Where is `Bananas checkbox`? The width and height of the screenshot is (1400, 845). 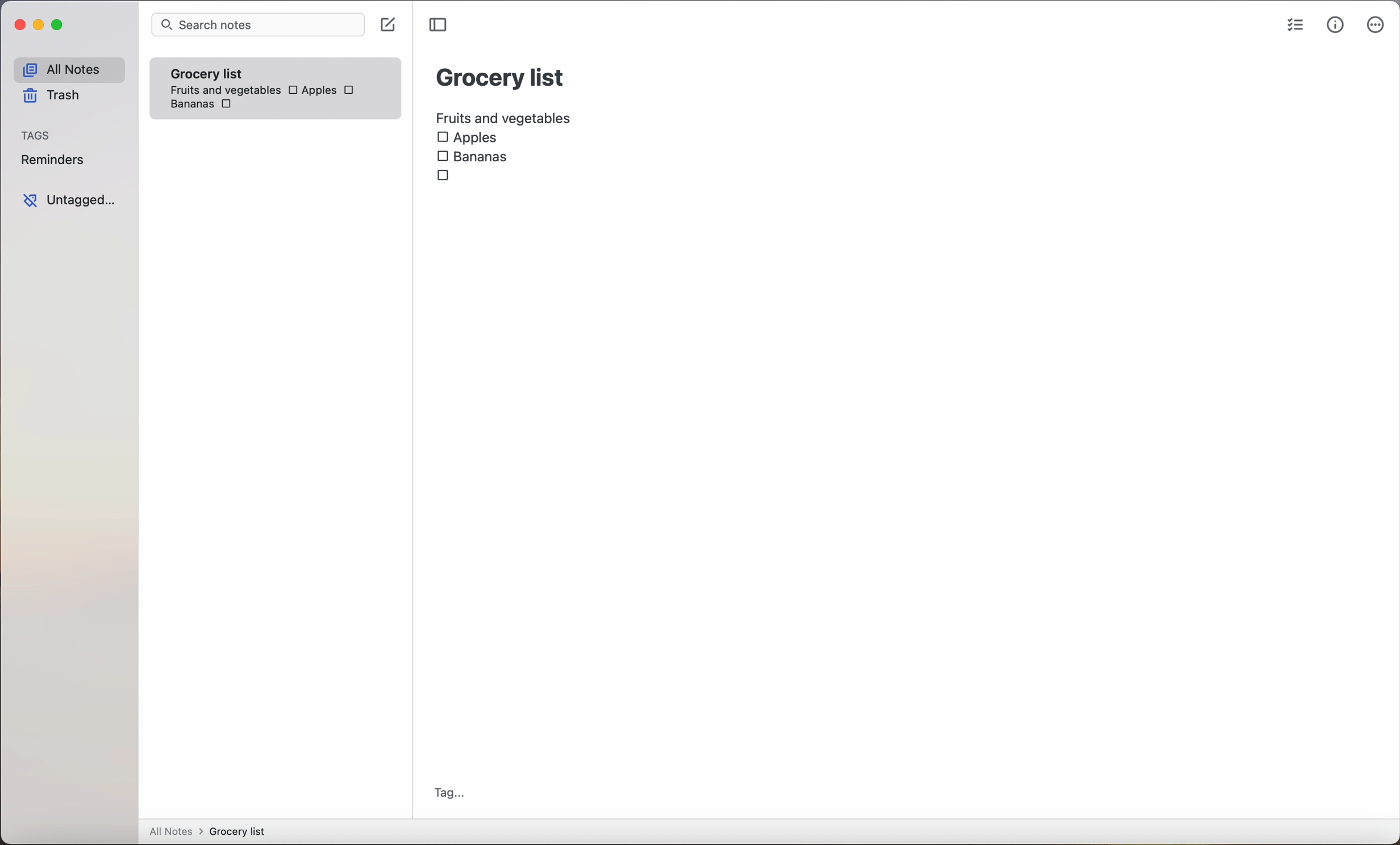 Bananas checkbox is located at coordinates (470, 158).